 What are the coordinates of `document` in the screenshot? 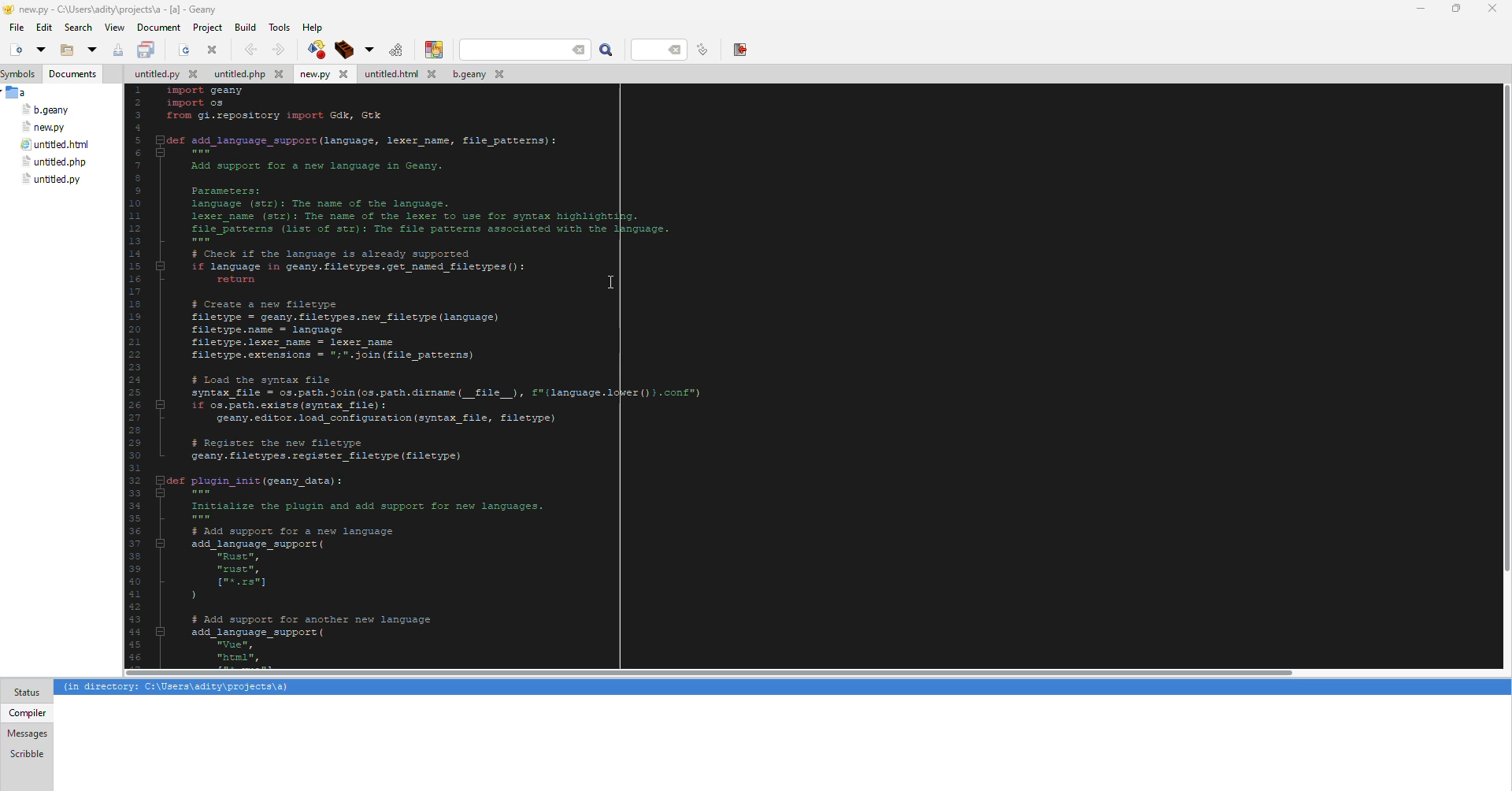 It's located at (159, 28).